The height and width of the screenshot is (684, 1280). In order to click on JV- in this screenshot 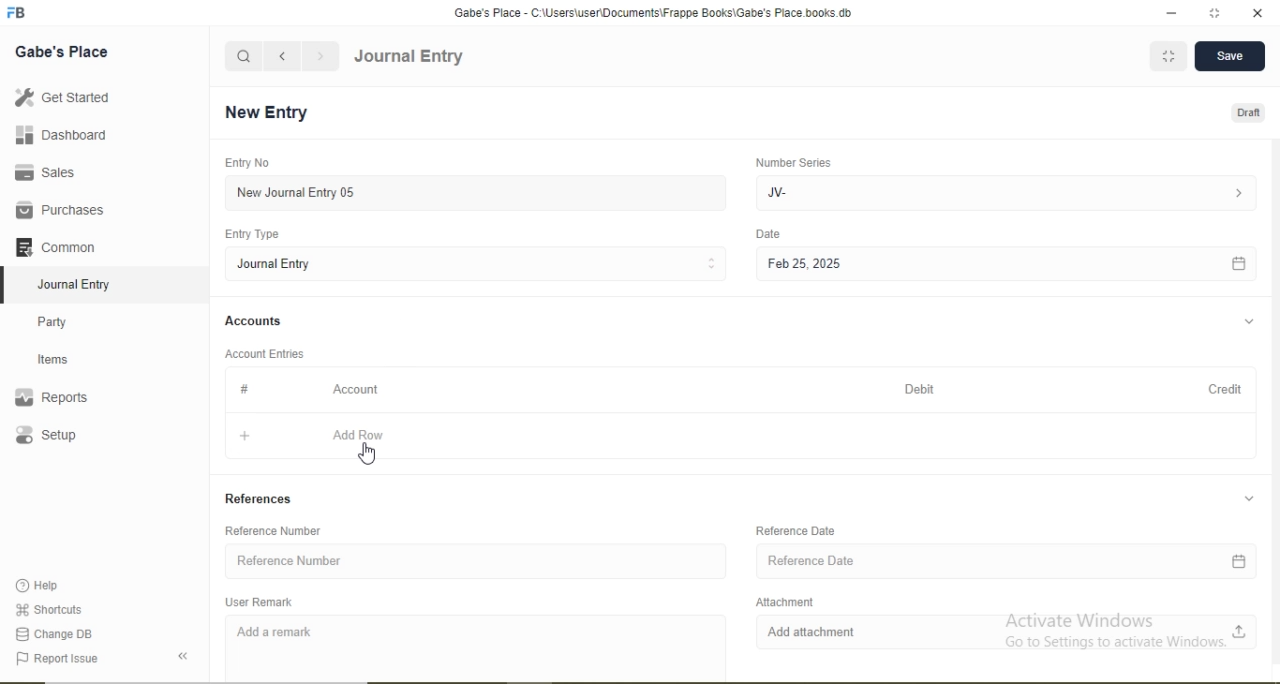, I will do `click(1003, 191)`.